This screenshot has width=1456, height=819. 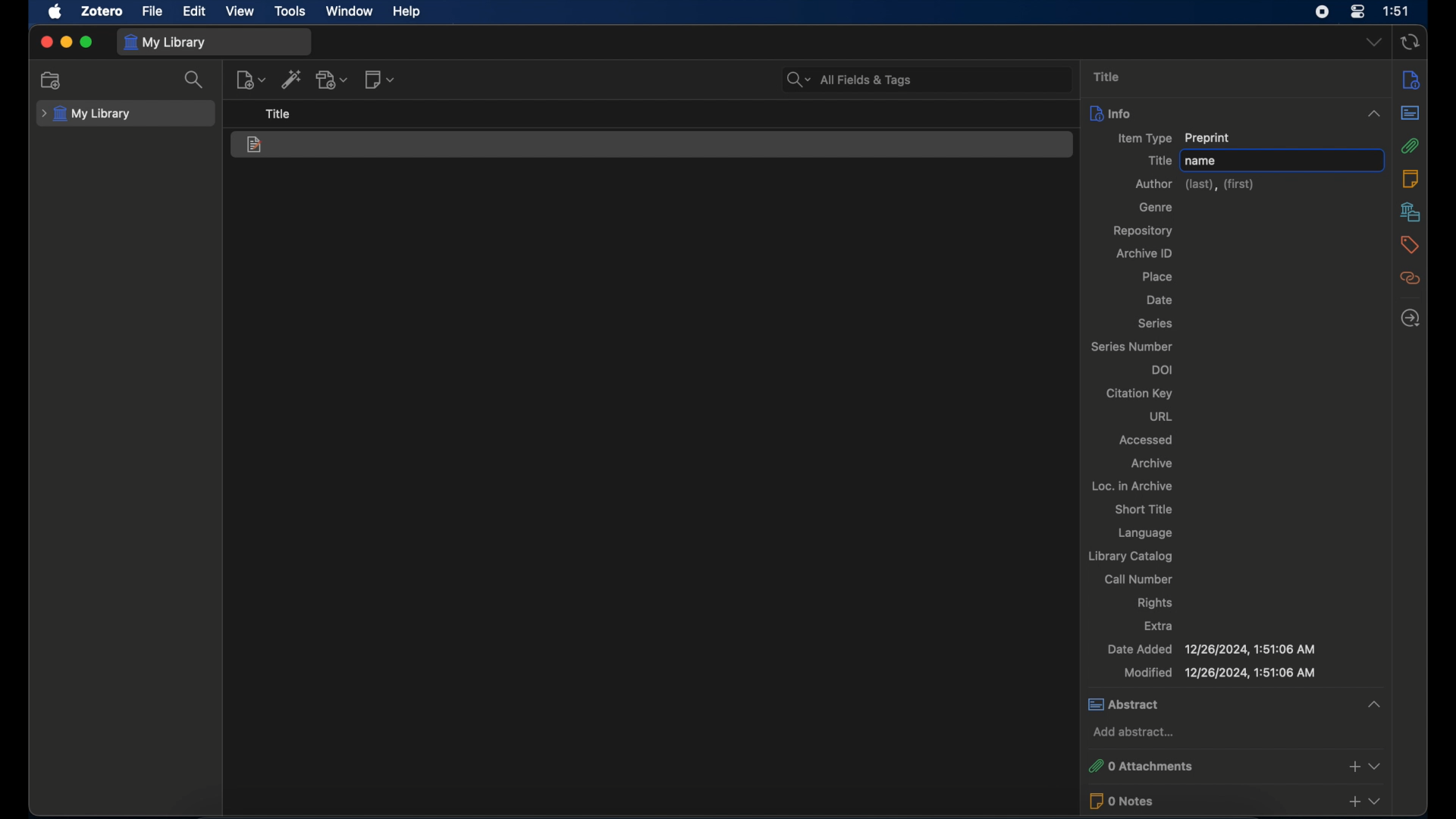 I want to click on series number, so click(x=1132, y=347).